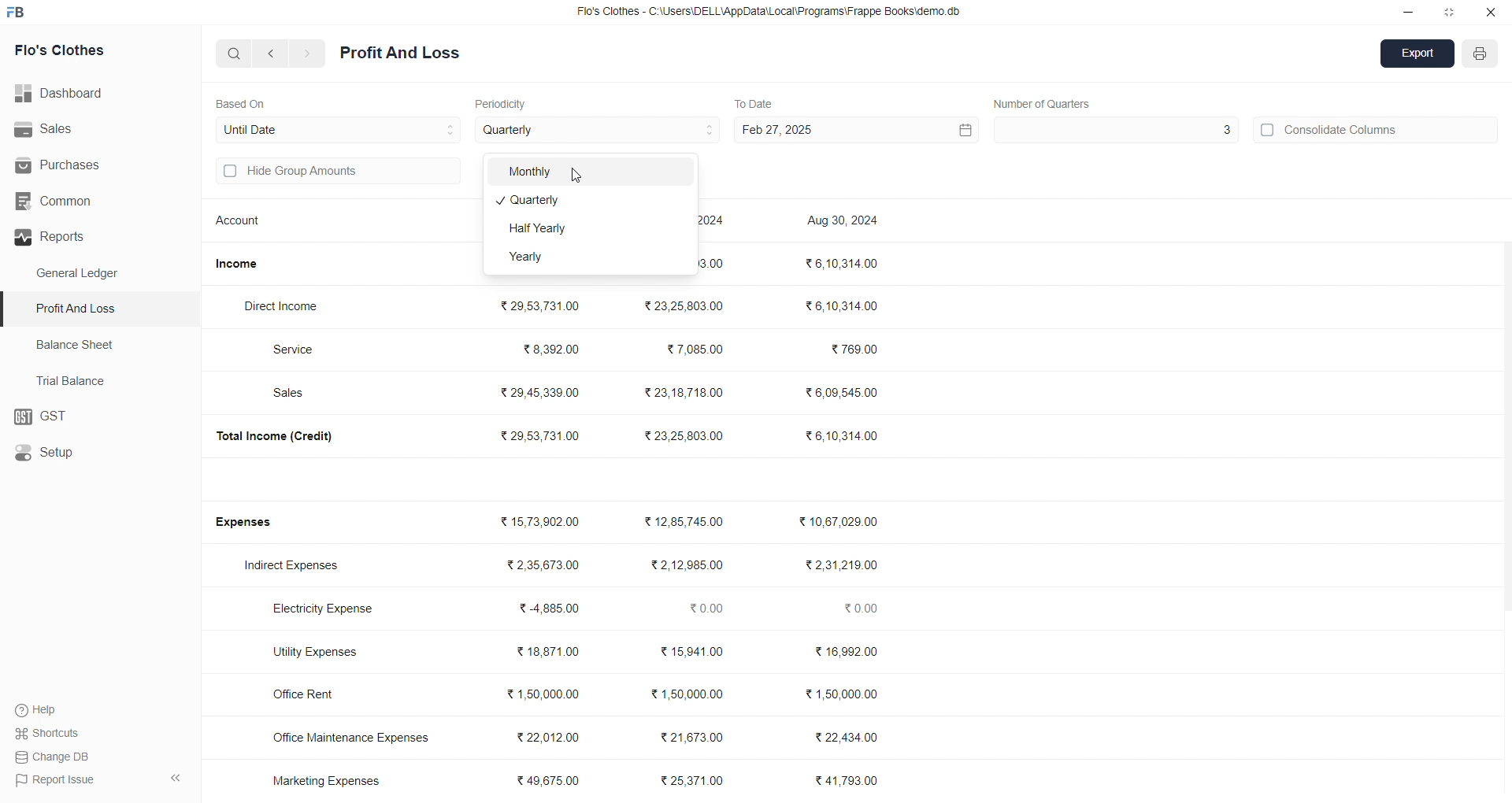  What do you see at coordinates (554, 609) in the screenshot?
I see `₹-4,885.00` at bounding box center [554, 609].